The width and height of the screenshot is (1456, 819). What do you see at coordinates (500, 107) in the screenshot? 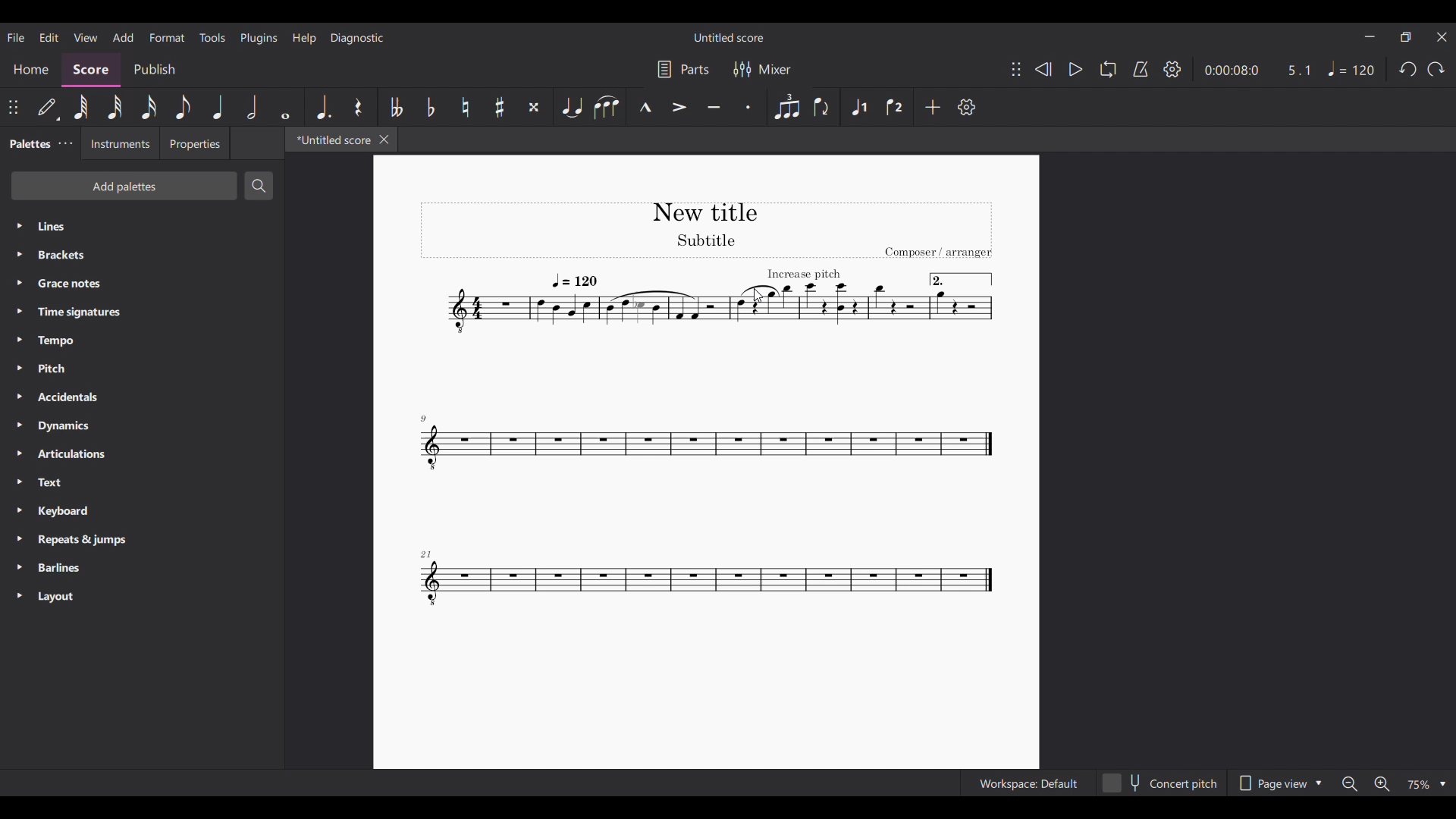
I see `Toggle sharp` at bounding box center [500, 107].